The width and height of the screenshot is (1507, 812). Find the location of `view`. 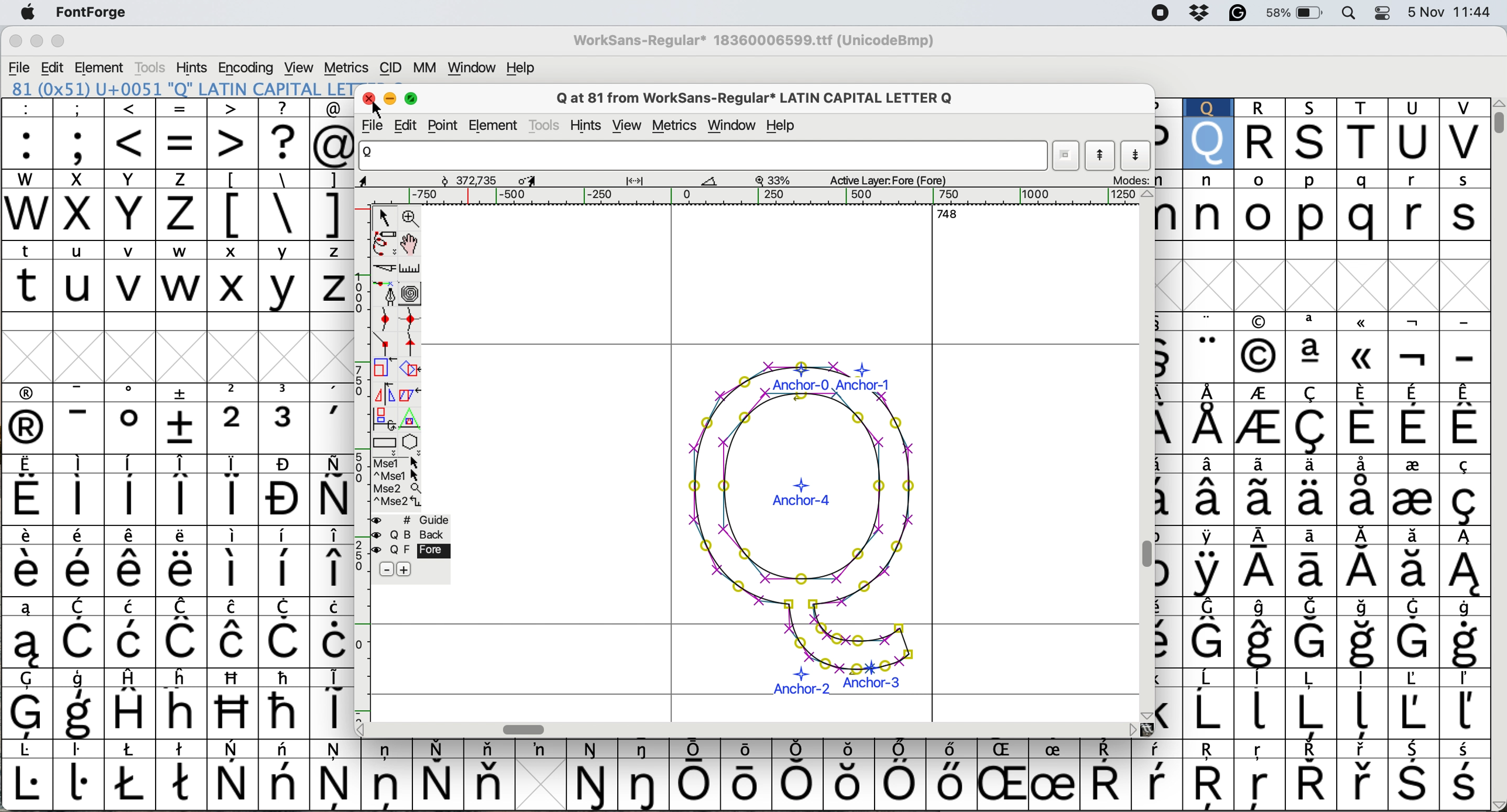

view is located at coordinates (302, 67).